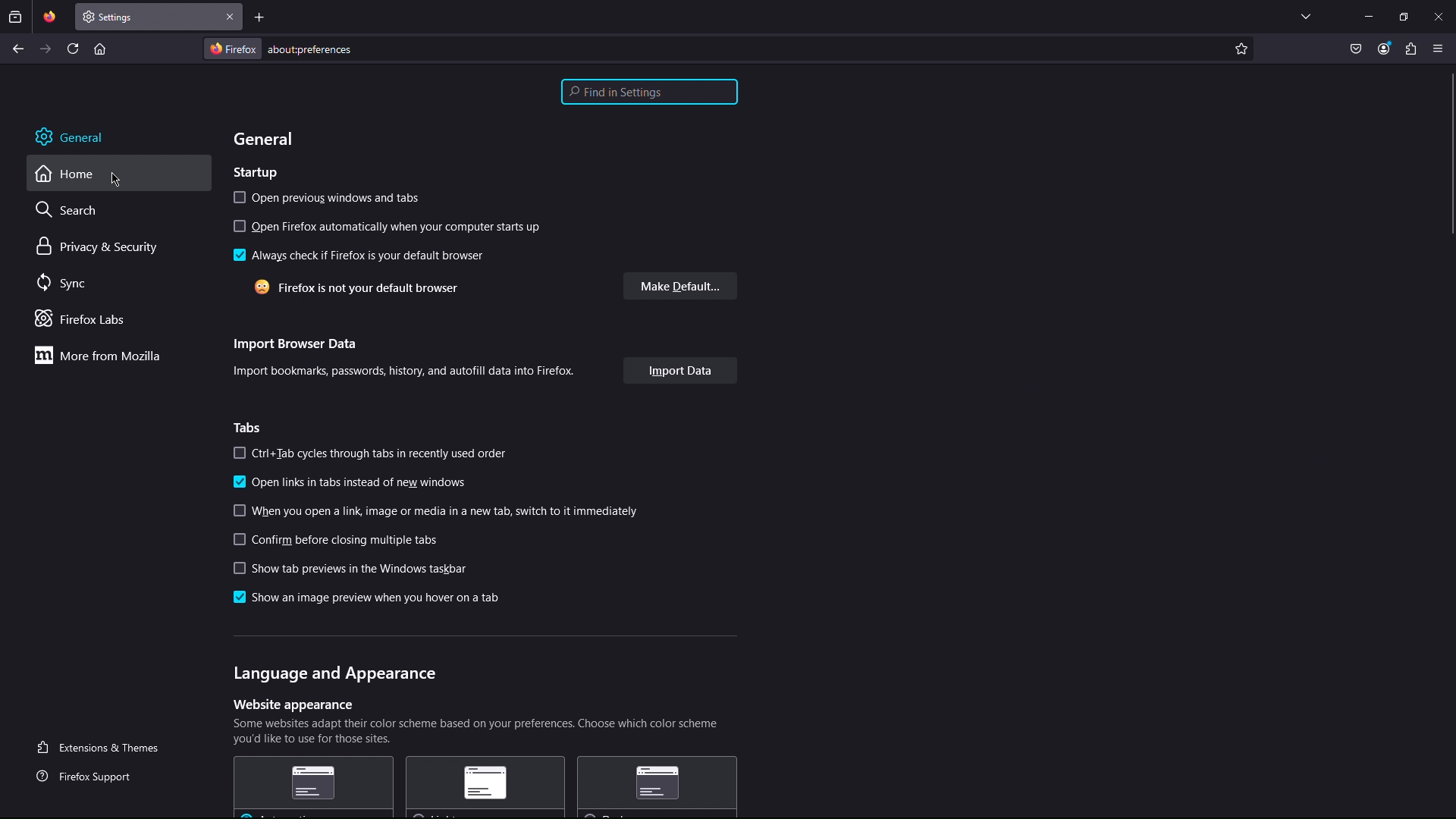 The width and height of the screenshot is (1456, 819). What do you see at coordinates (1411, 50) in the screenshot?
I see `Plugin` at bounding box center [1411, 50].